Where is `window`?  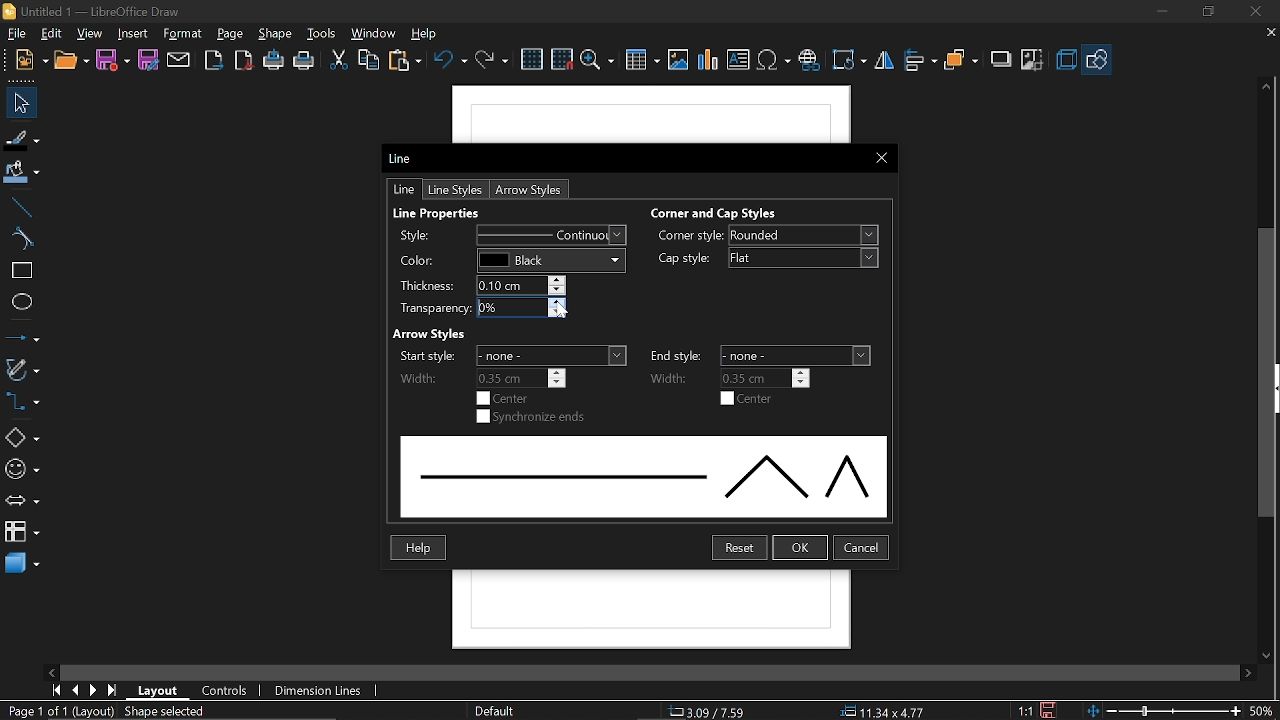 window is located at coordinates (376, 33).